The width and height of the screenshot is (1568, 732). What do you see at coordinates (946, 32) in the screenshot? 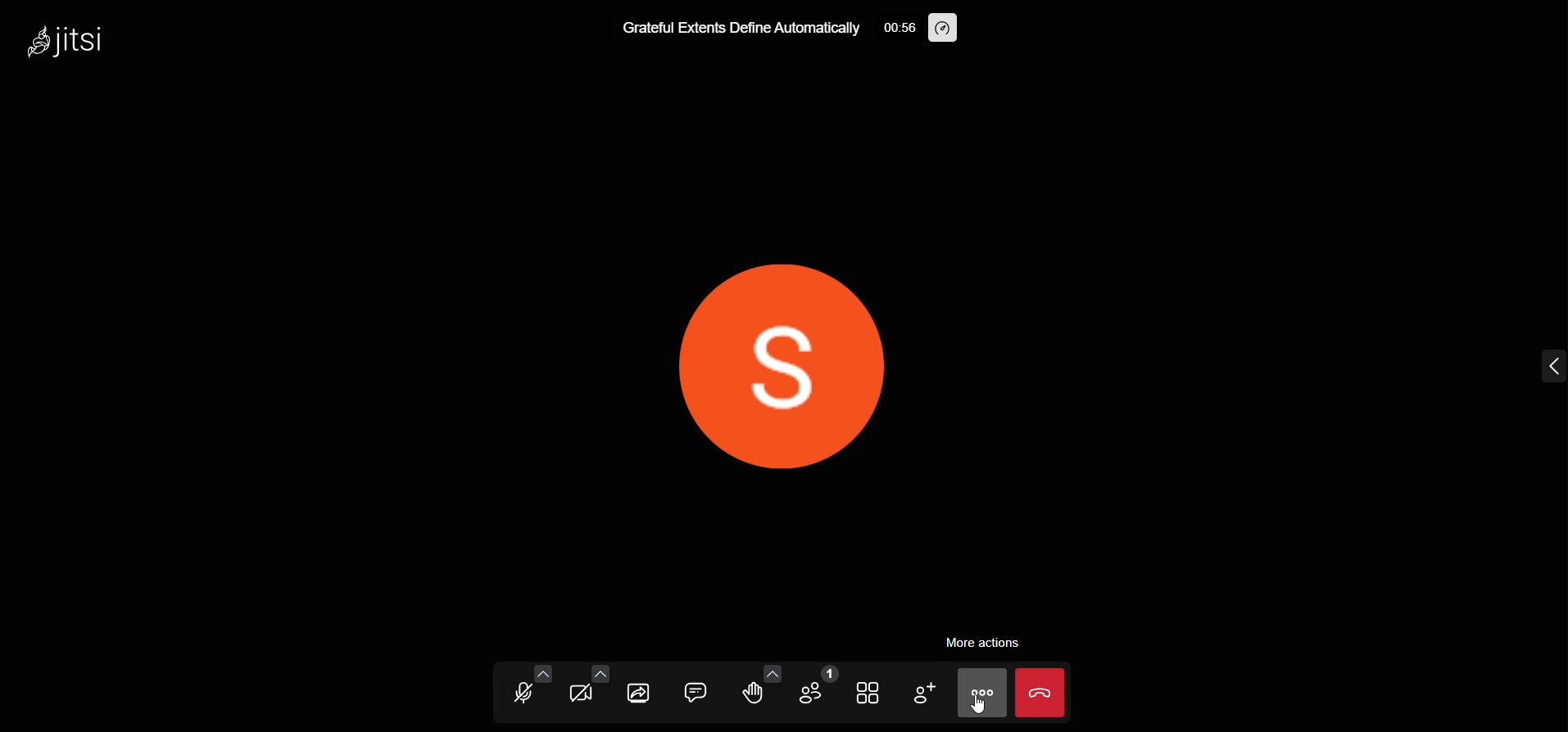
I see `performance setting` at bounding box center [946, 32].